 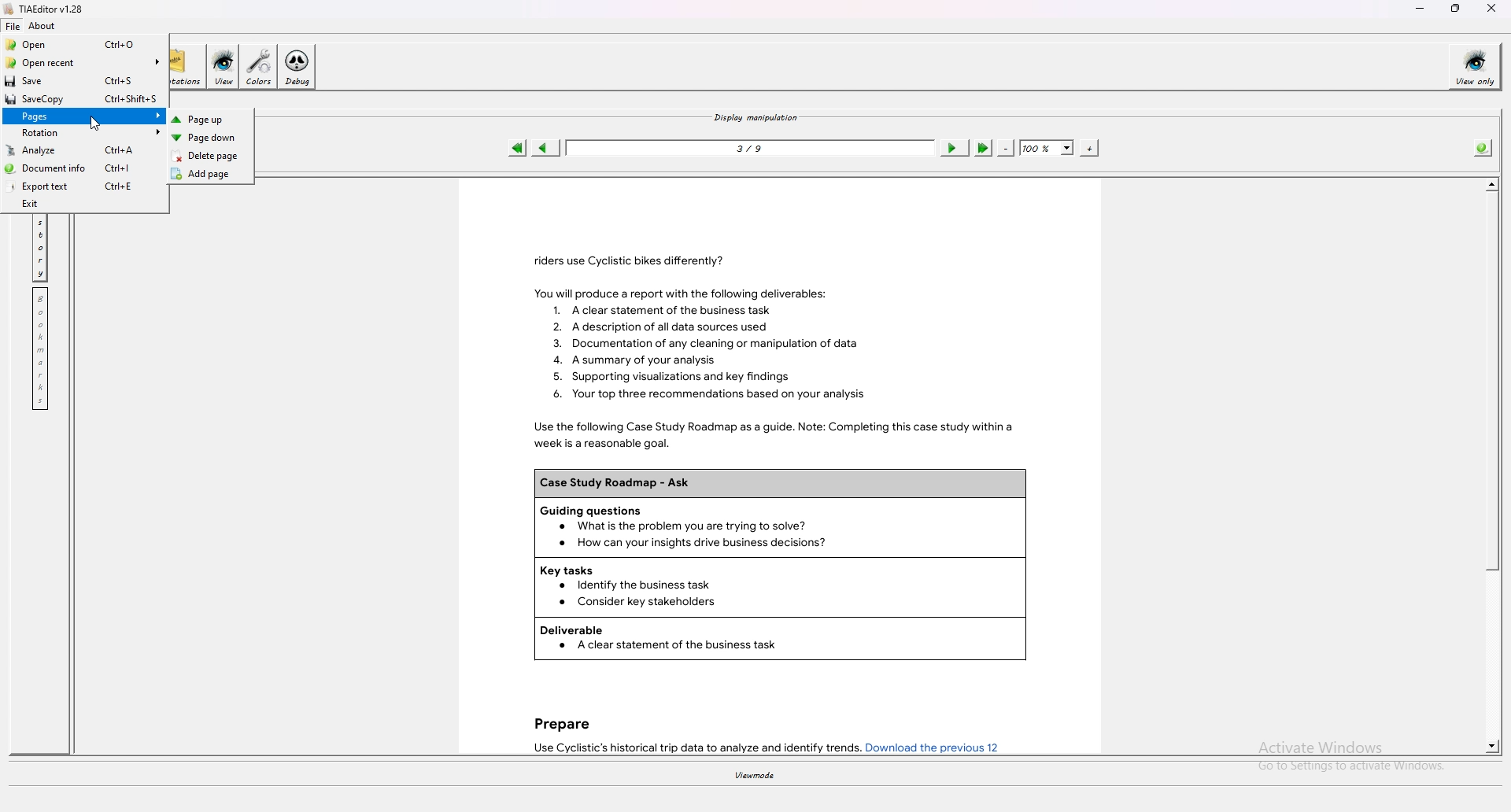 What do you see at coordinates (1457, 8) in the screenshot?
I see `resize` at bounding box center [1457, 8].